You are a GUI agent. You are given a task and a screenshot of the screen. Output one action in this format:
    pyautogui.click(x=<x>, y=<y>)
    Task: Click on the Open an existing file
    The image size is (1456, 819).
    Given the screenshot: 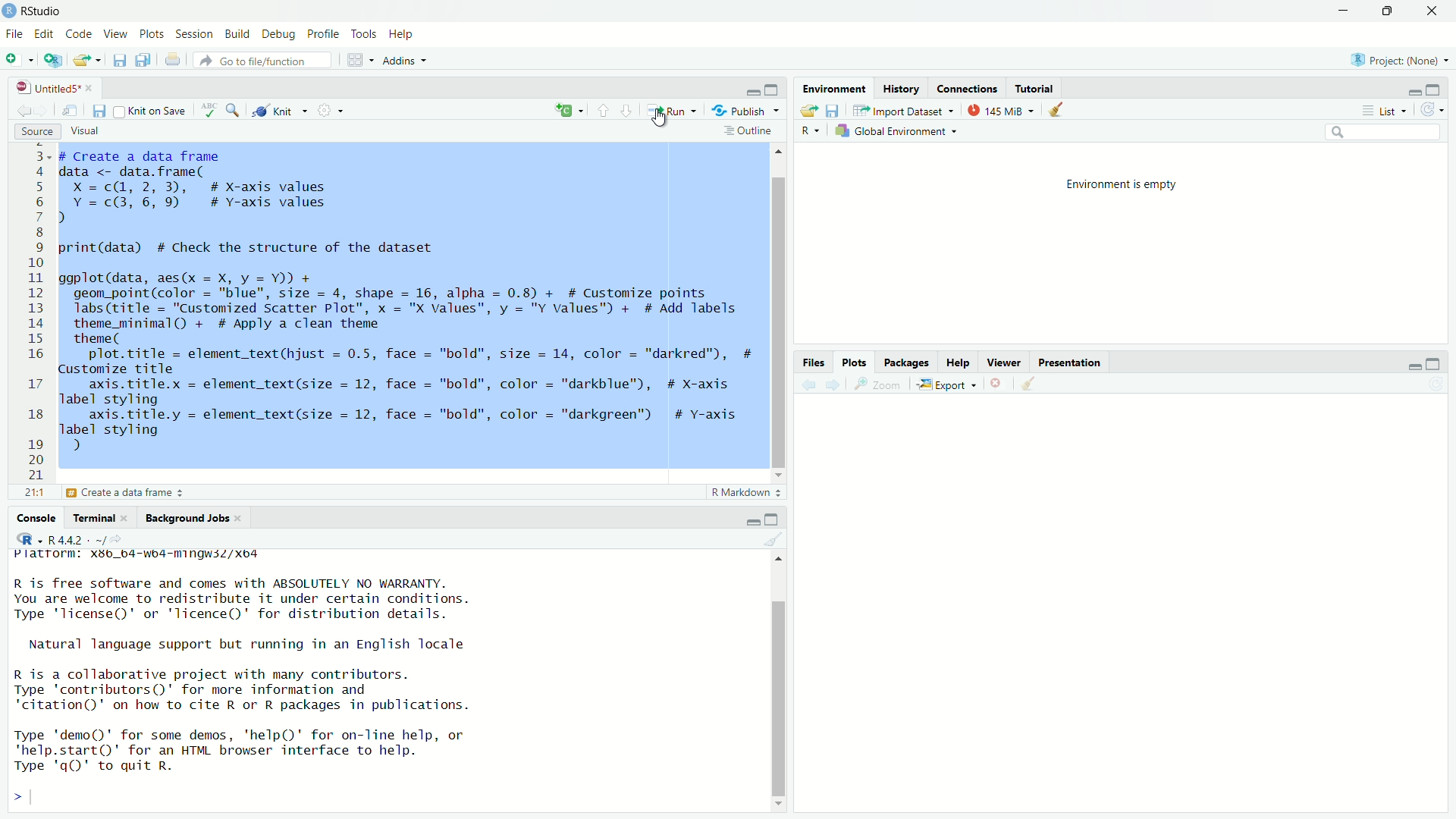 What is the action you would take?
    pyautogui.click(x=88, y=60)
    